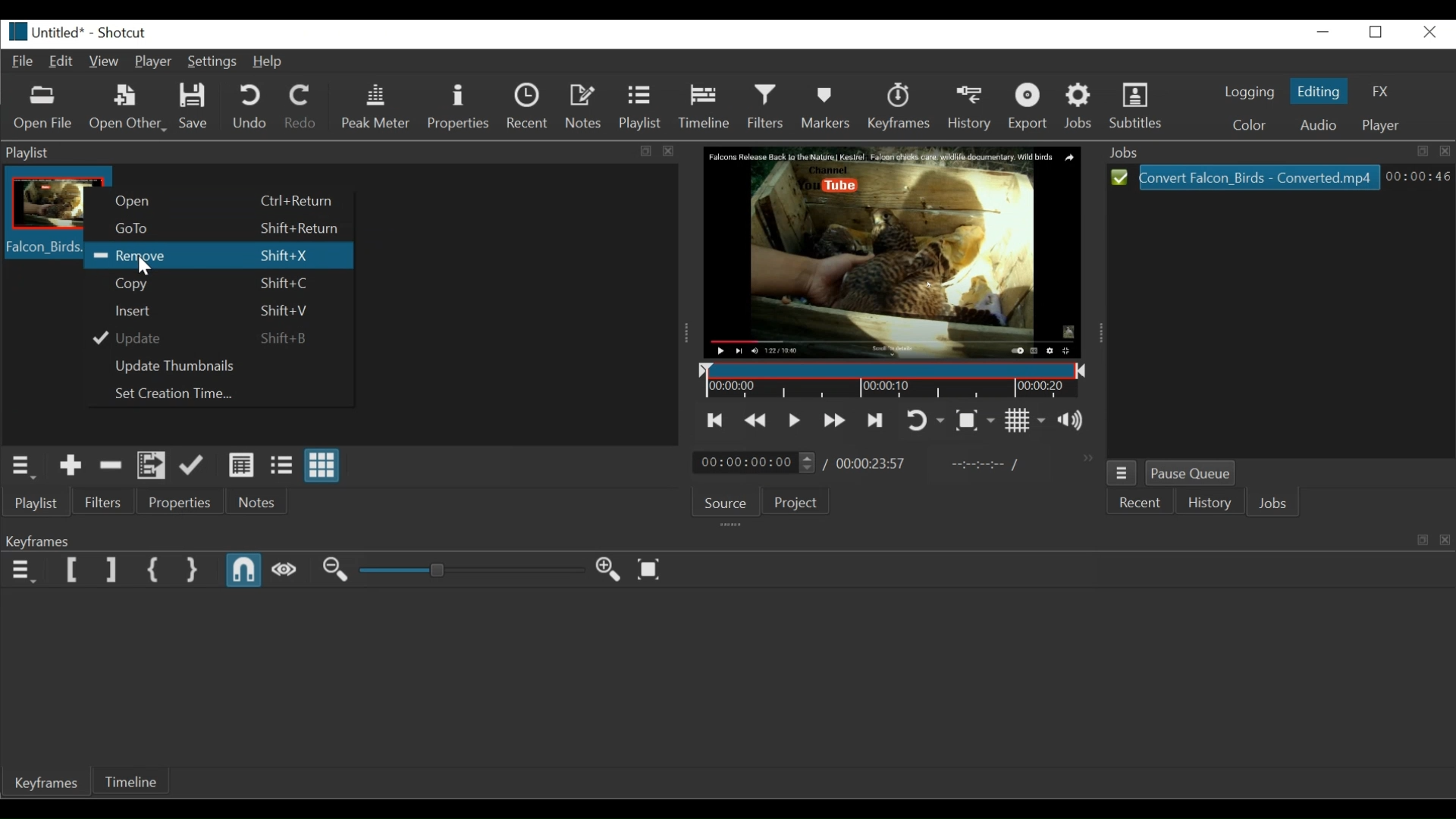 The width and height of the screenshot is (1456, 819). I want to click on Open Other, so click(126, 108).